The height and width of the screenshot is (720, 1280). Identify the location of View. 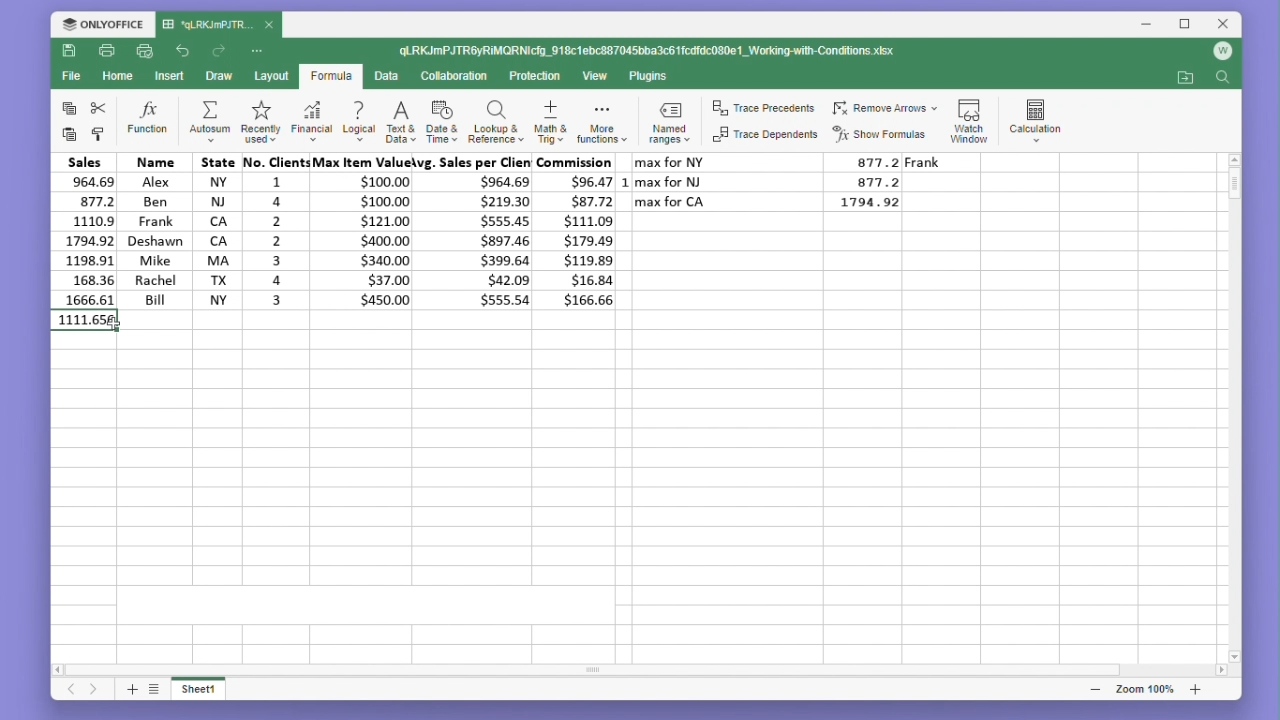
(596, 76).